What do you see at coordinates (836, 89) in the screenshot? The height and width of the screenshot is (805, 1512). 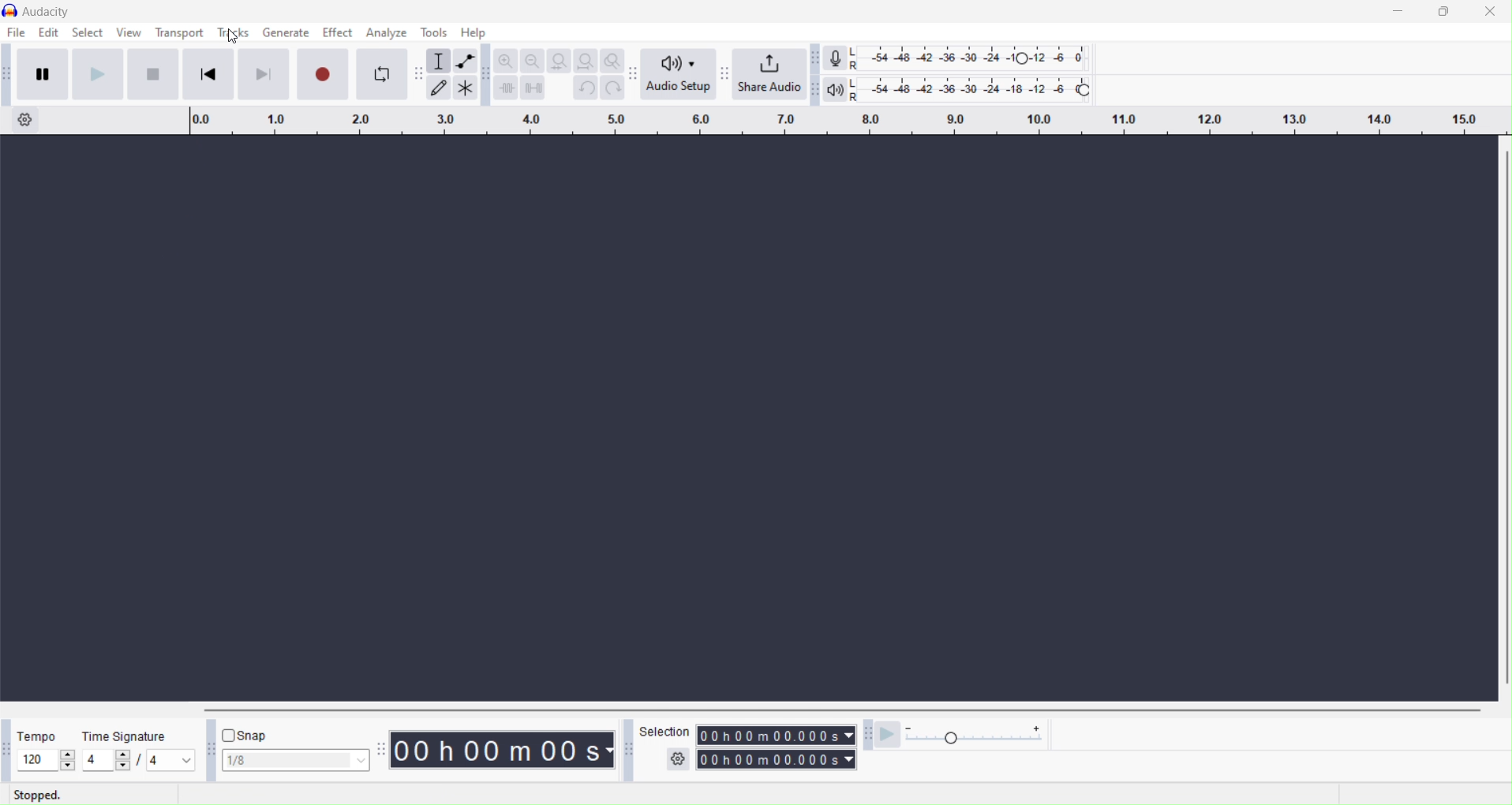 I see `Playback meter` at bounding box center [836, 89].